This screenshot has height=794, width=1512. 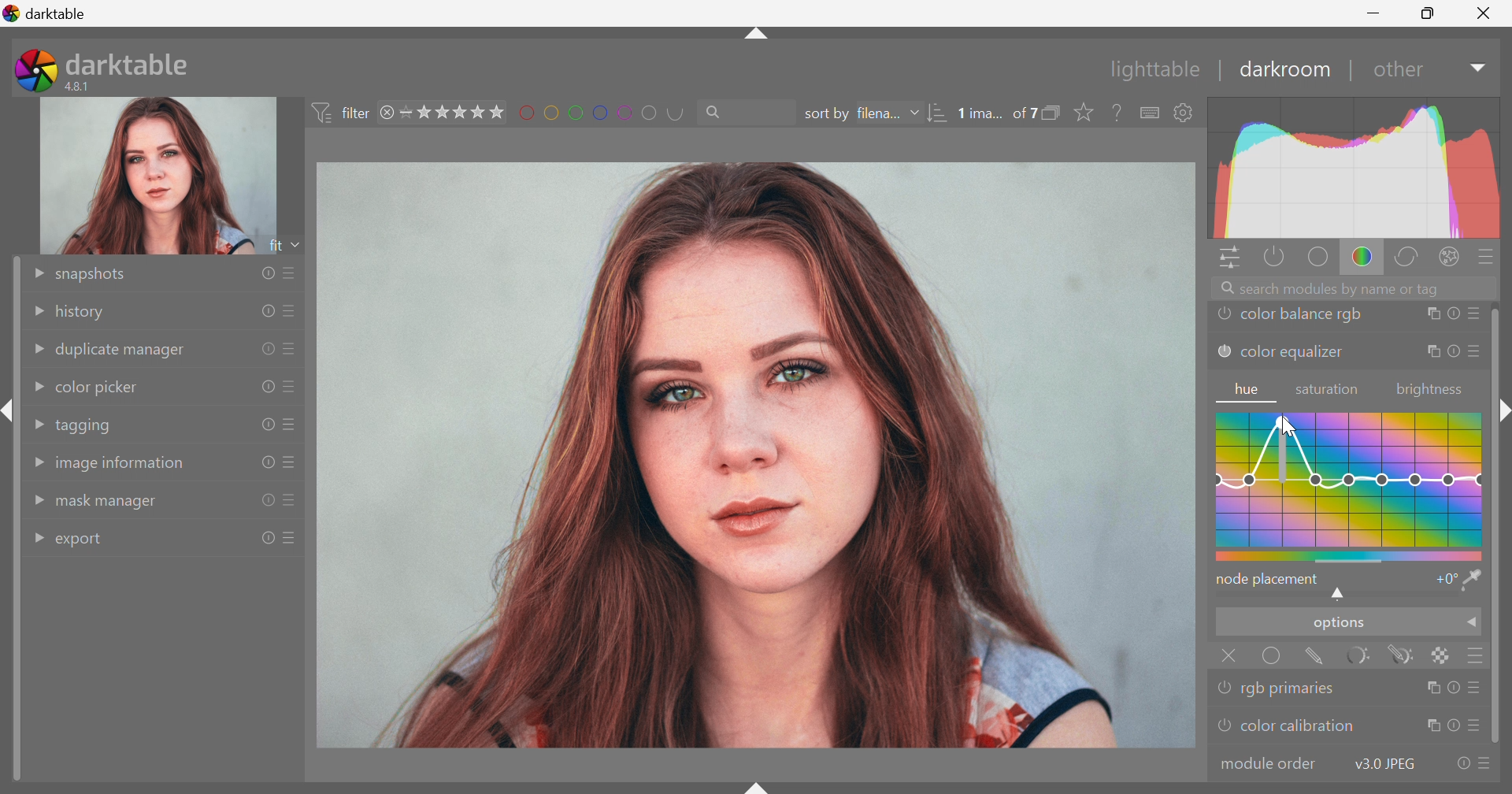 I want to click on 'color balance rgb' is switched off, so click(x=1225, y=316).